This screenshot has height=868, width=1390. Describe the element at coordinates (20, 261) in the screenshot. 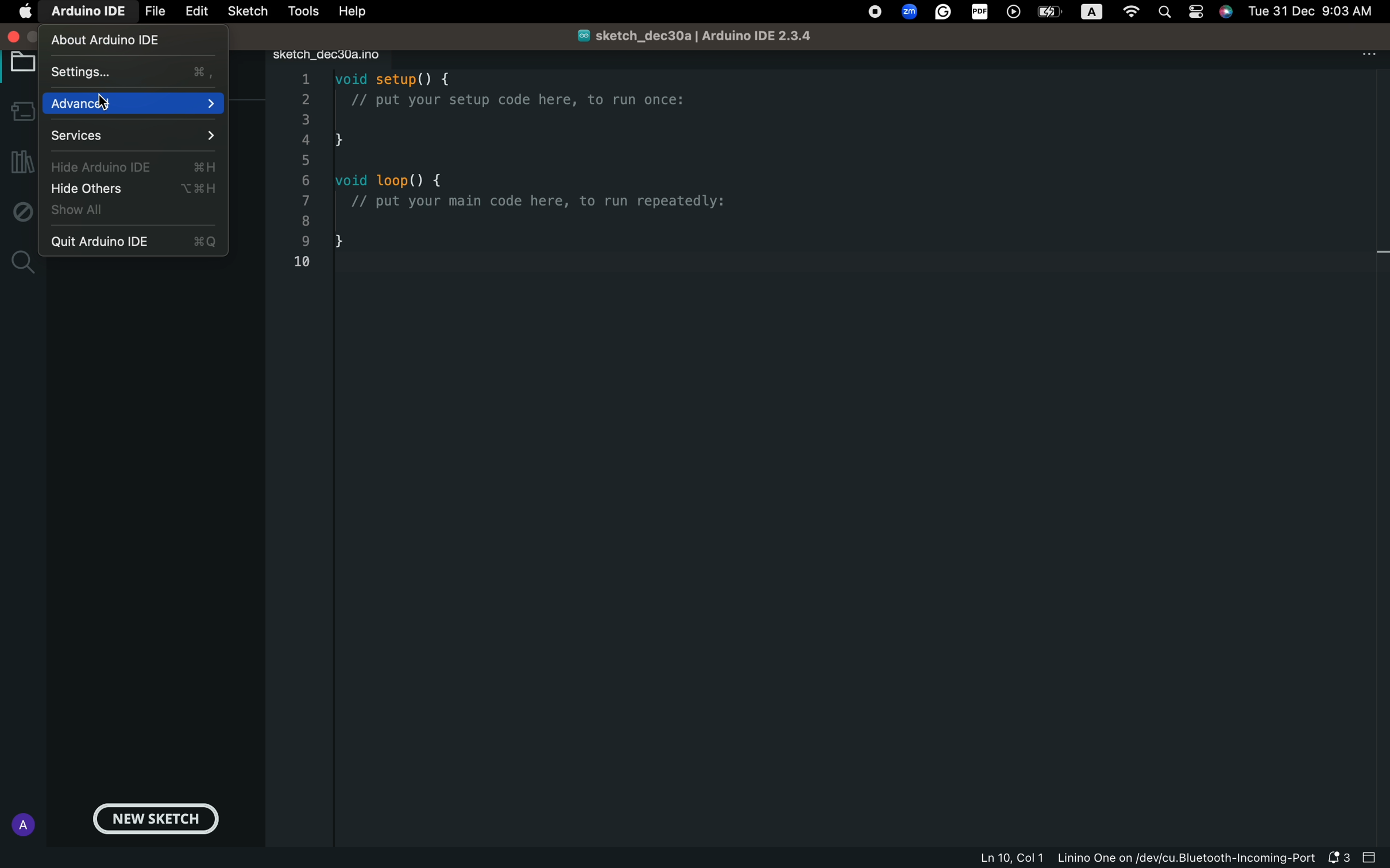

I see `search` at that location.